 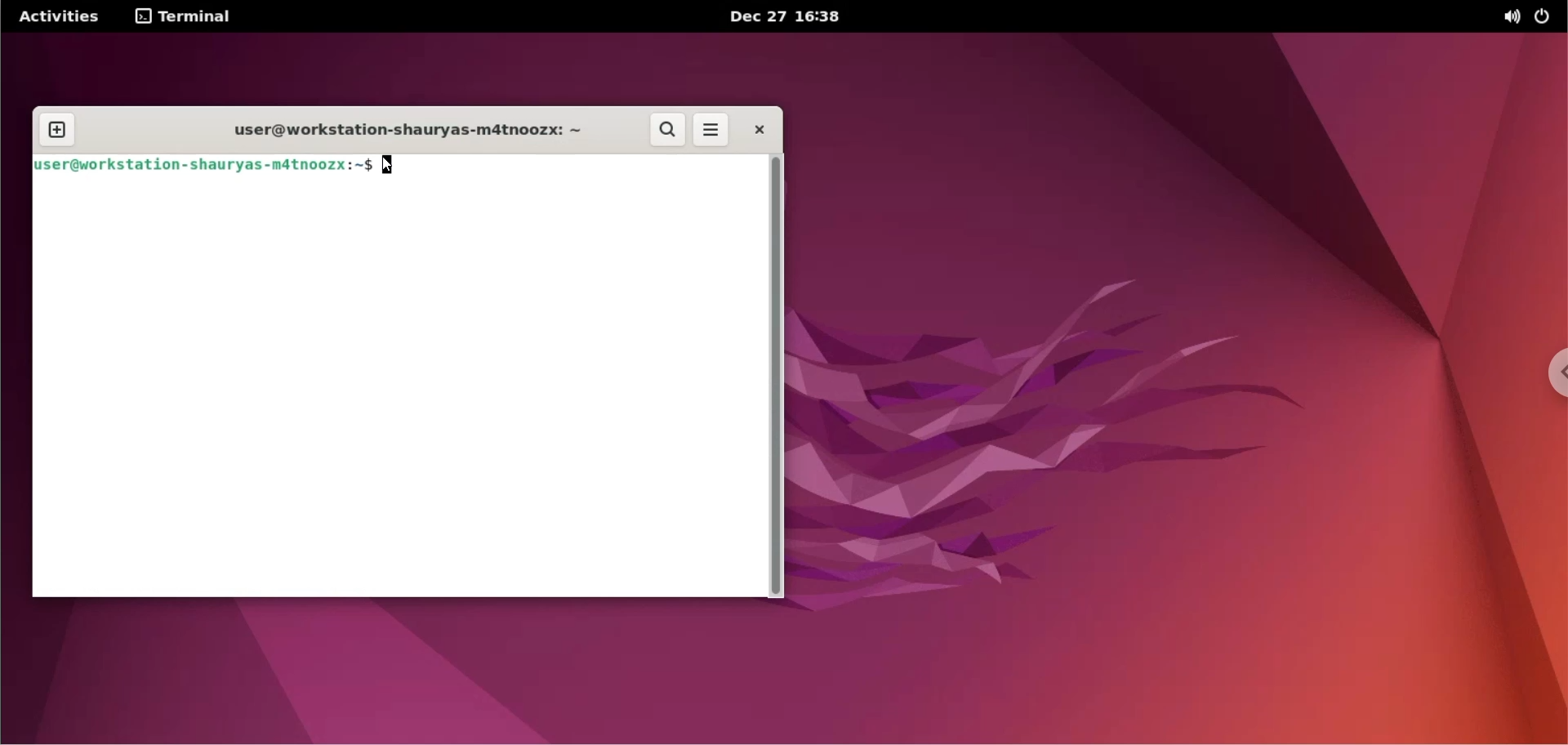 I want to click on user@workstation-shauryas-m4tnoozx: ~$, so click(x=204, y=166).